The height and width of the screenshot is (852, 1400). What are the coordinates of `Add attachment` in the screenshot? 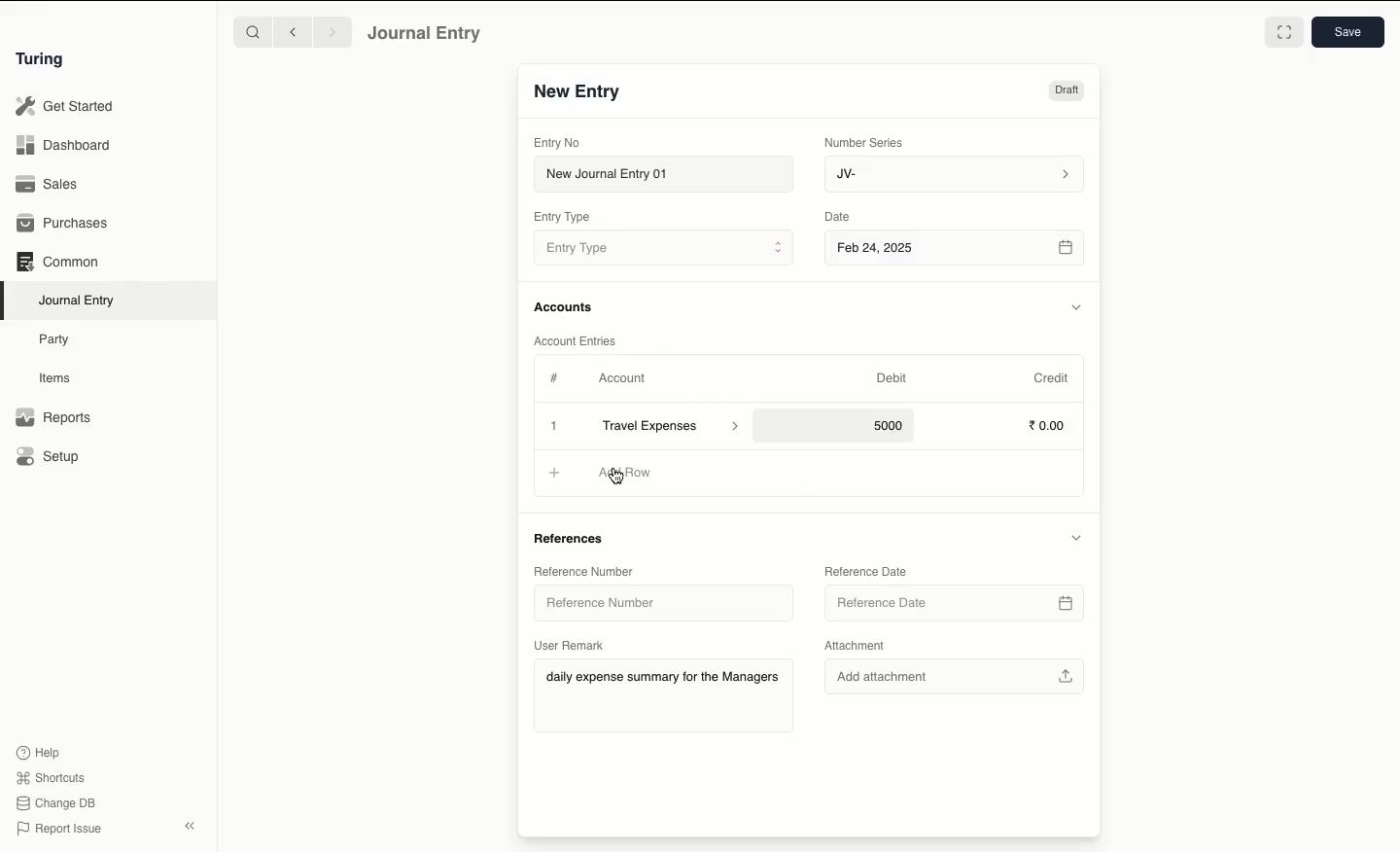 It's located at (956, 679).